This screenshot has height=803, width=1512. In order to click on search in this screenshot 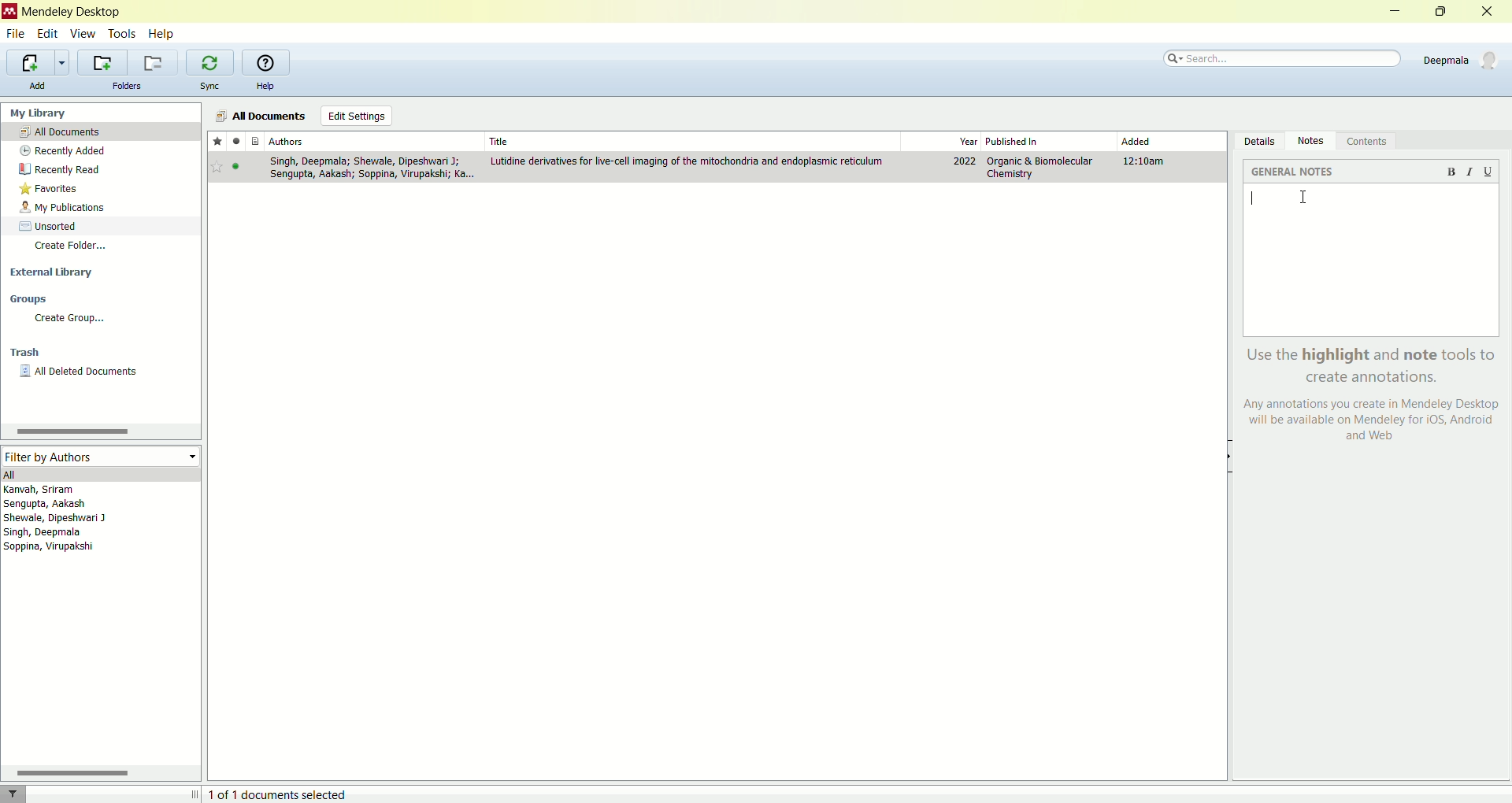, I will do `click(1284, 56)`.